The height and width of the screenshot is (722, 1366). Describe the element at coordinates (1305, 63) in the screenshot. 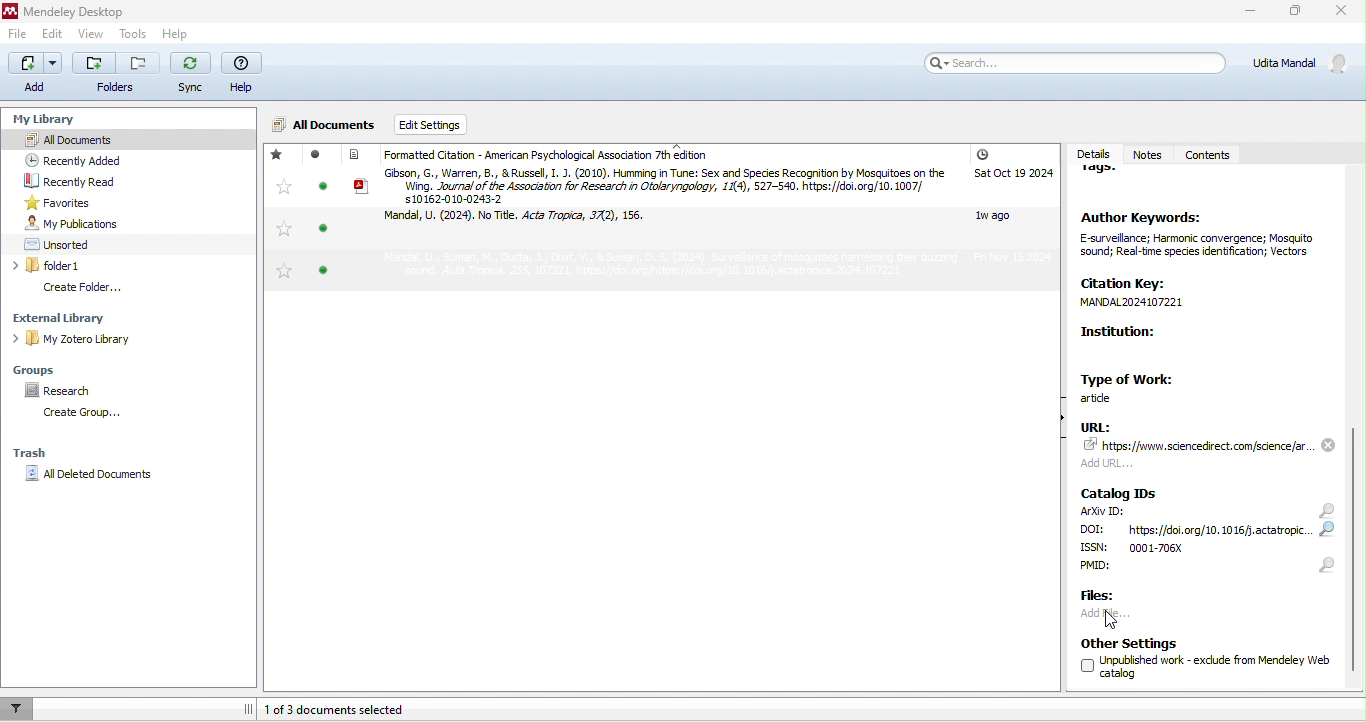

I see `Udita Mandal` at that location.